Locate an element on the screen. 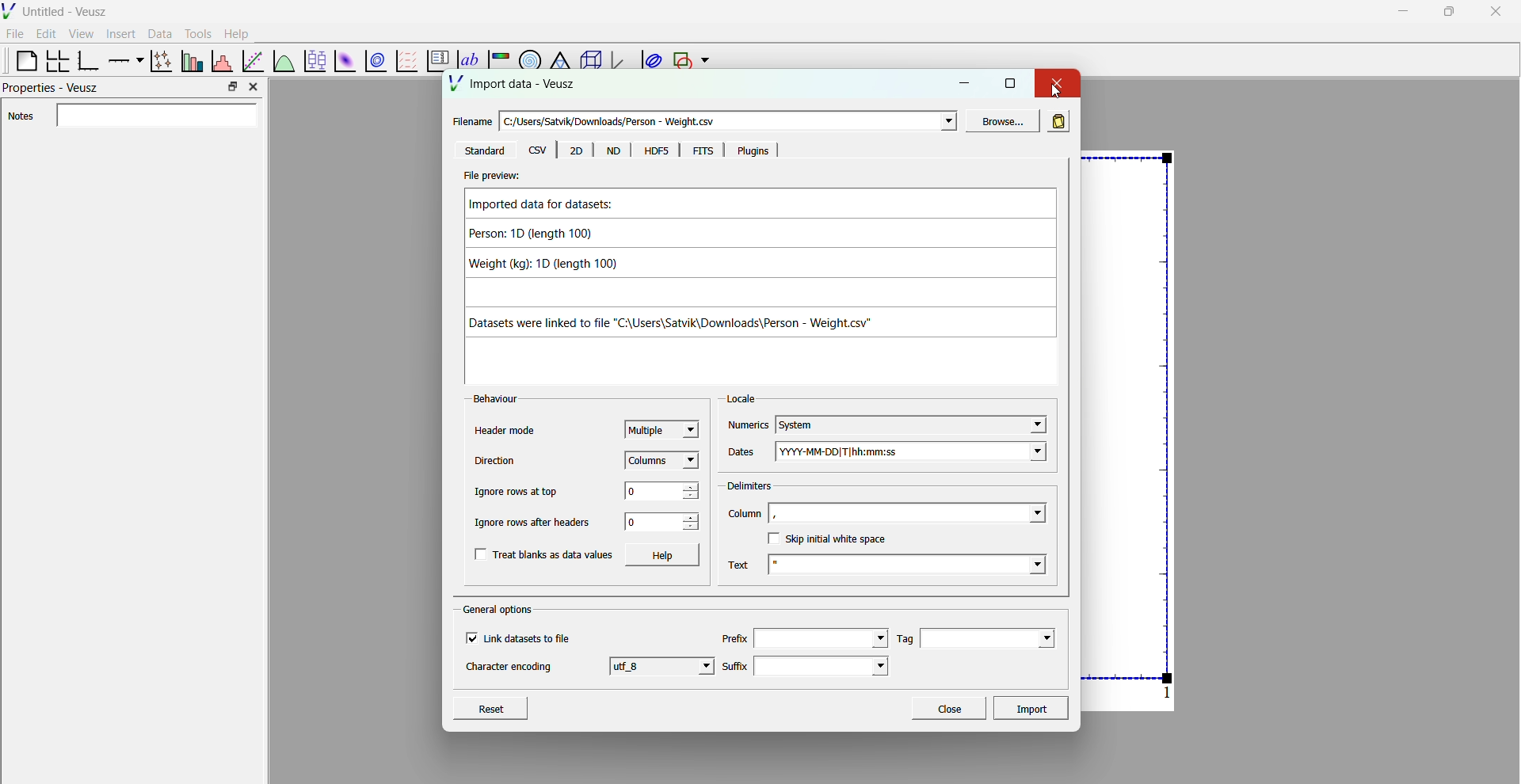 This screenshot has height=784, width=1521. plot functions is located at coordinates (283, 60).